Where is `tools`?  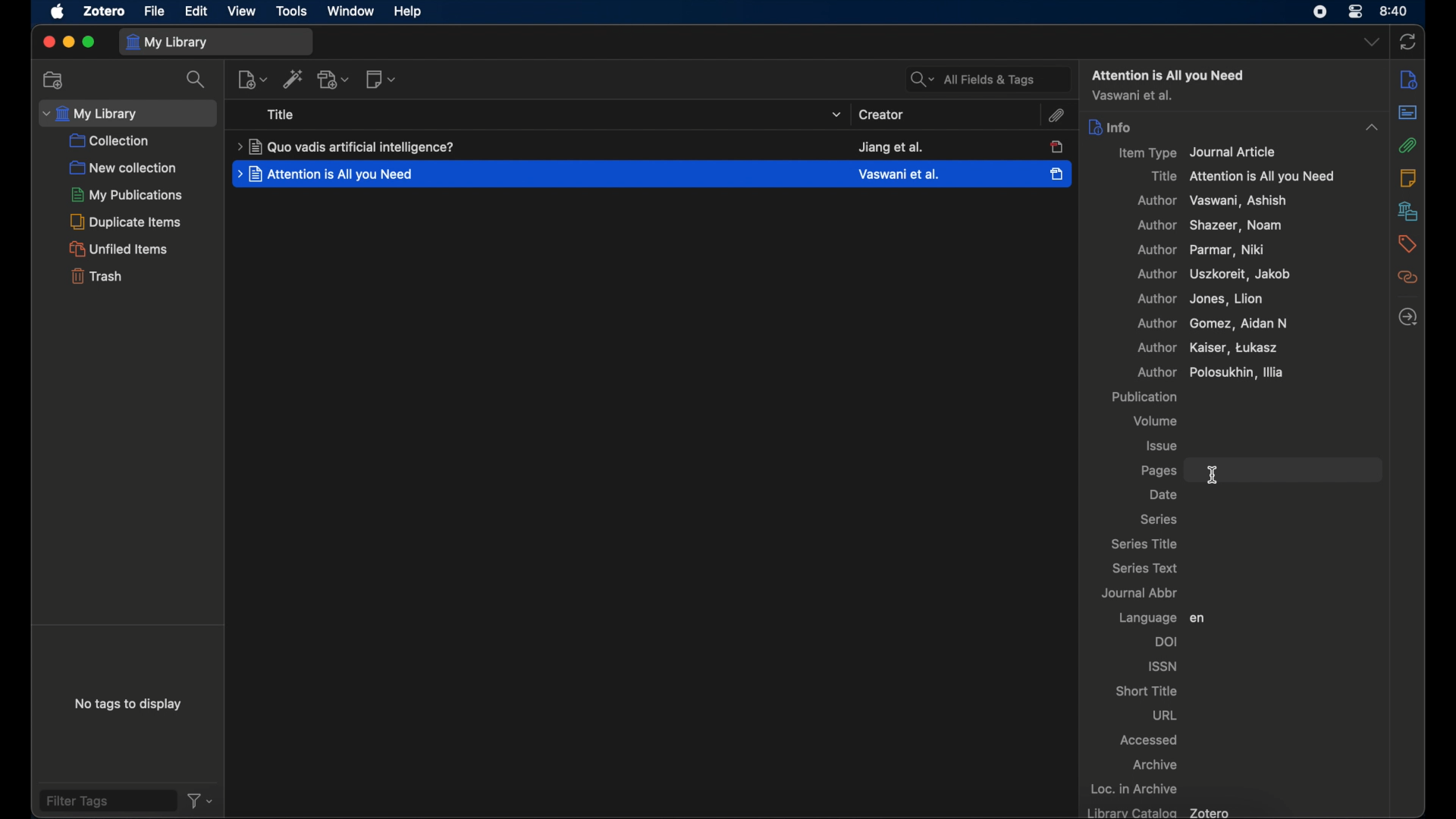 tools is located at coordinates (292, 11).